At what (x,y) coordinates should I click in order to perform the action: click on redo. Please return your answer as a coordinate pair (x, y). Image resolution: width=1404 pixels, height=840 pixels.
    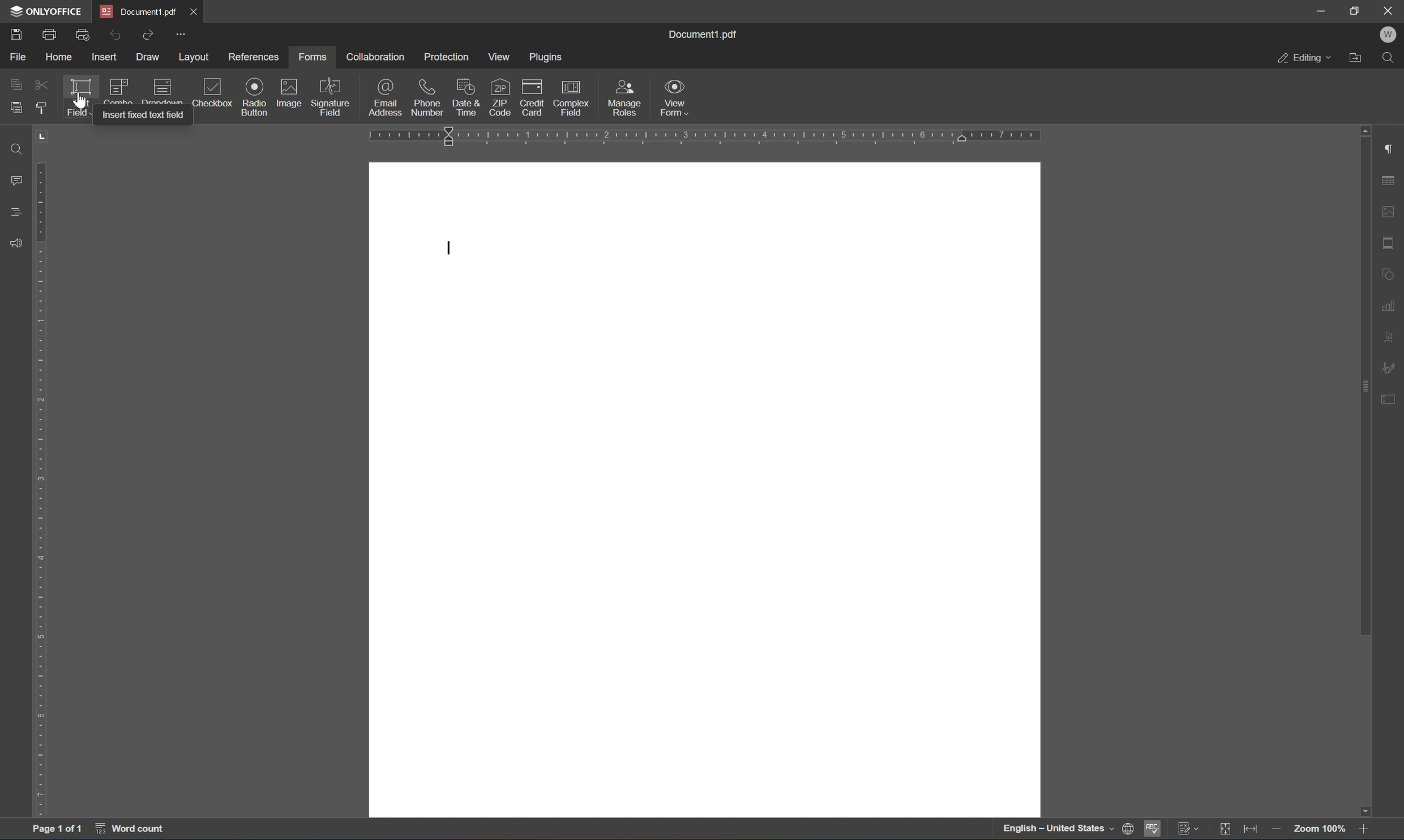
    Looking at the image, I should click on (146, 36).